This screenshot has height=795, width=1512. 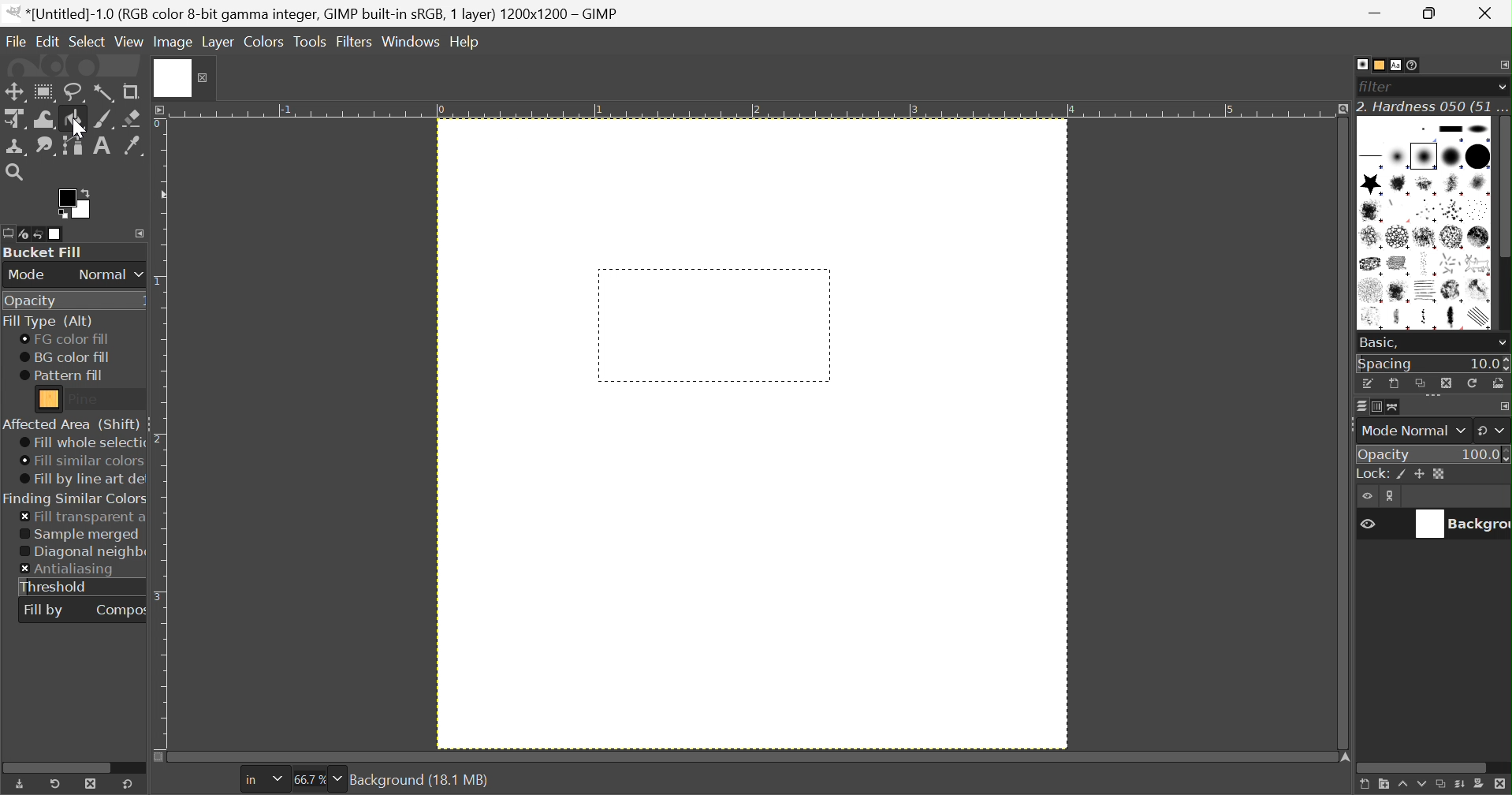 I want to click on Delete Tool Preset..., so click(x=91, y=783).